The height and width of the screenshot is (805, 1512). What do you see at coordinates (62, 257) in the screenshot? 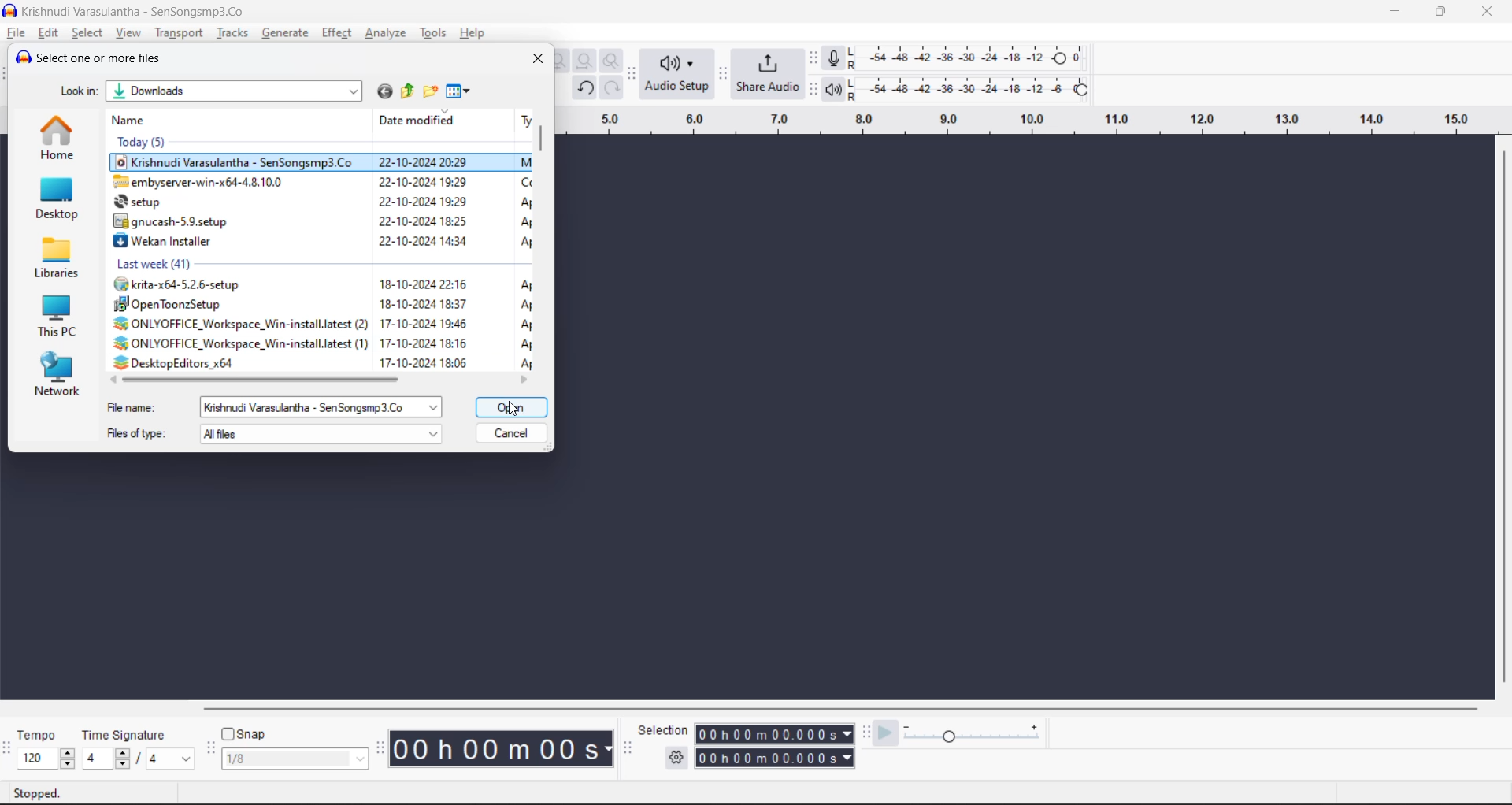
I see `libraries` at bounding box center [62, 257].